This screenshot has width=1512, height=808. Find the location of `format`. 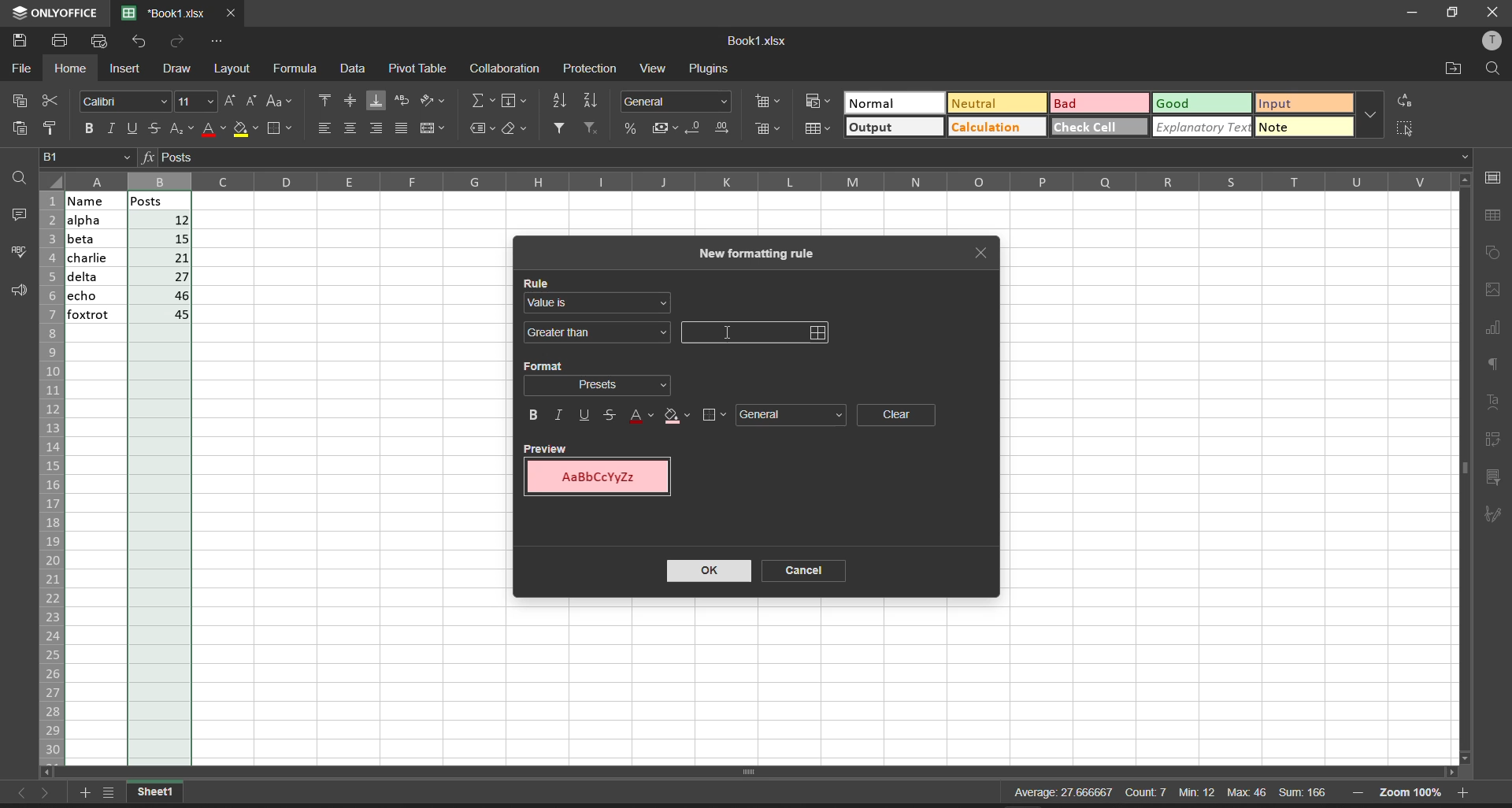

format is located at coordinates (542, 366).